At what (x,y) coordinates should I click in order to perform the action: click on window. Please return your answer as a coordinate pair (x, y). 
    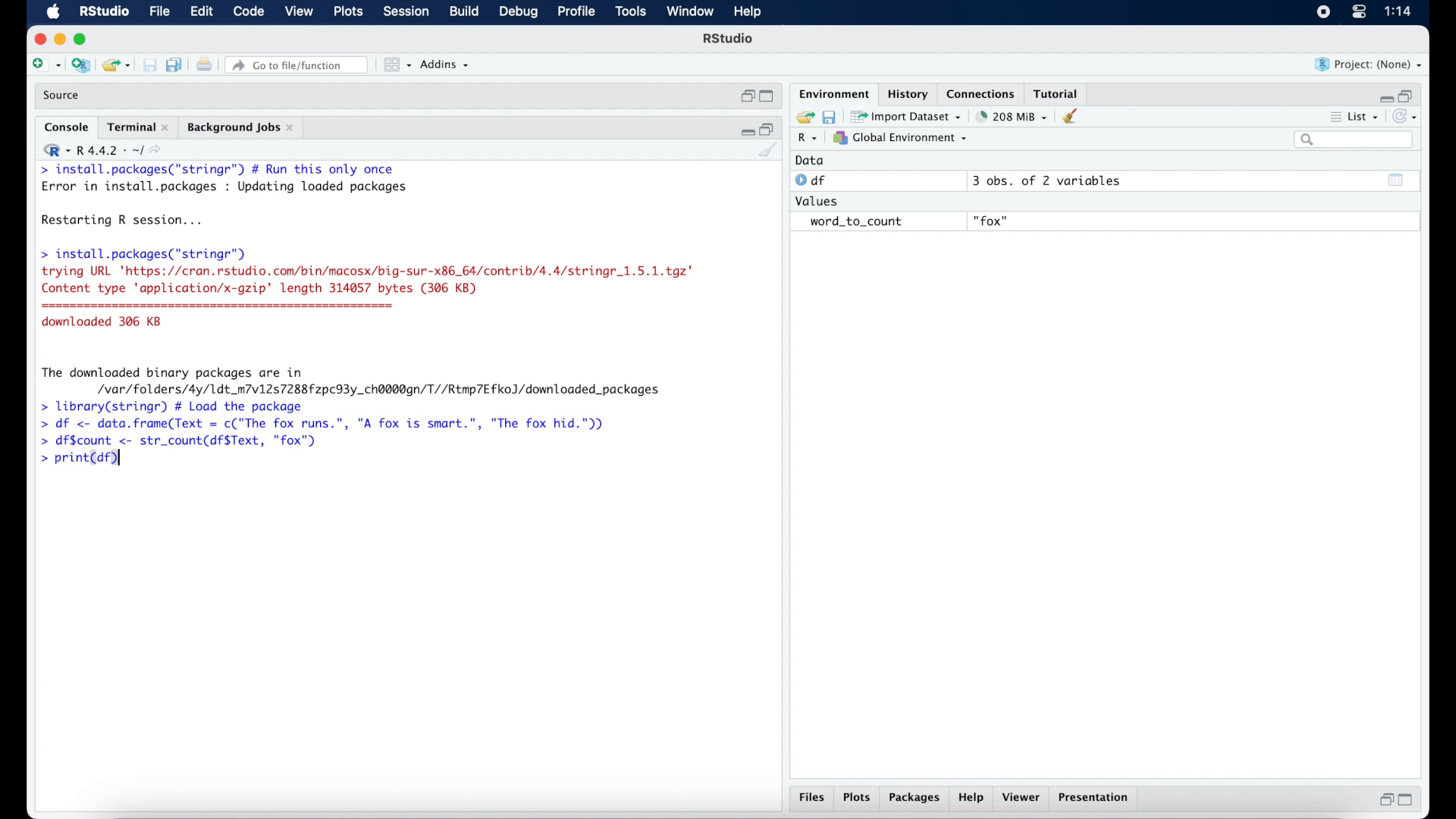
    Looking at the image, I should click on (690, 12).